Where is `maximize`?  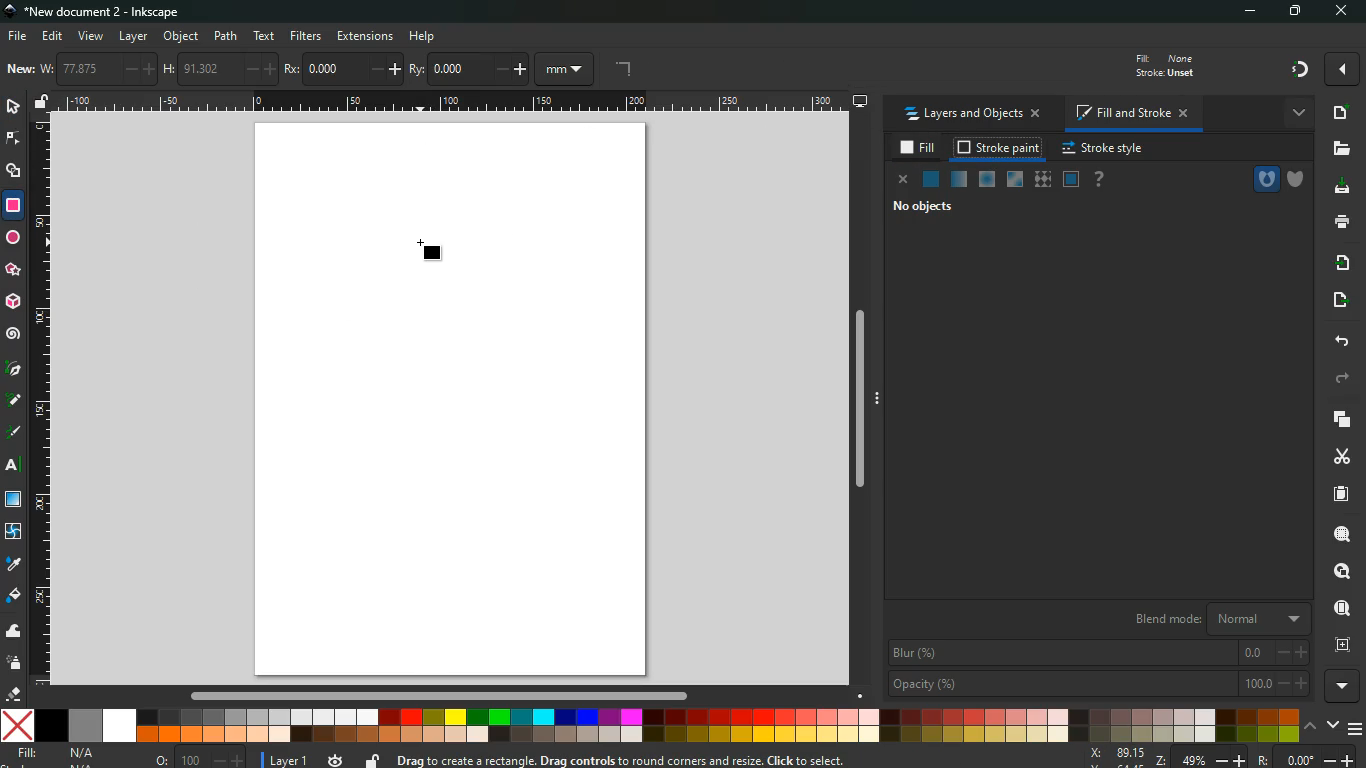
maximize is located at coordinates (1295, 13).